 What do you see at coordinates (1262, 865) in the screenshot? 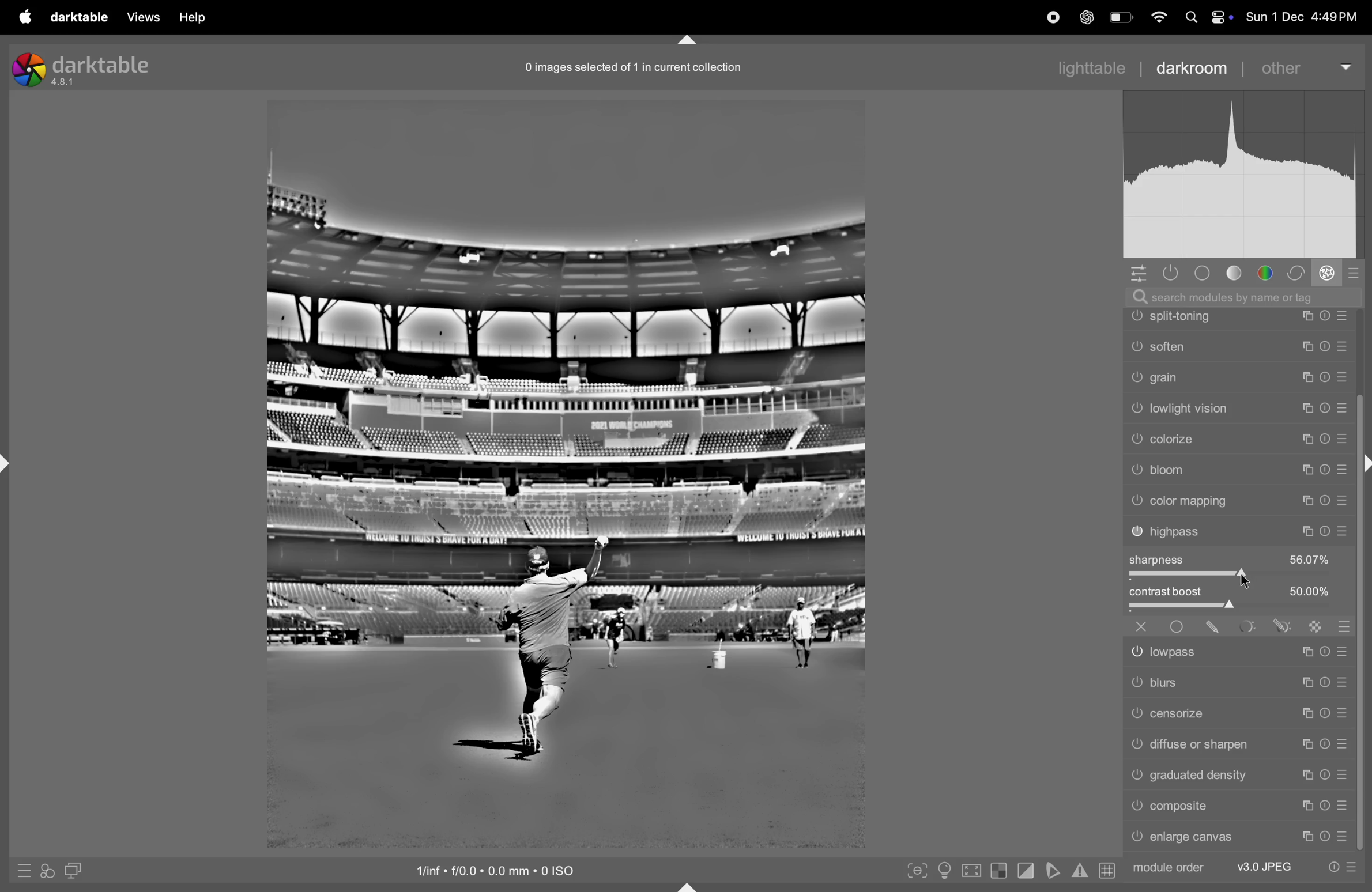
I see `v3 jpeg` at bounding box center [1262, 865].